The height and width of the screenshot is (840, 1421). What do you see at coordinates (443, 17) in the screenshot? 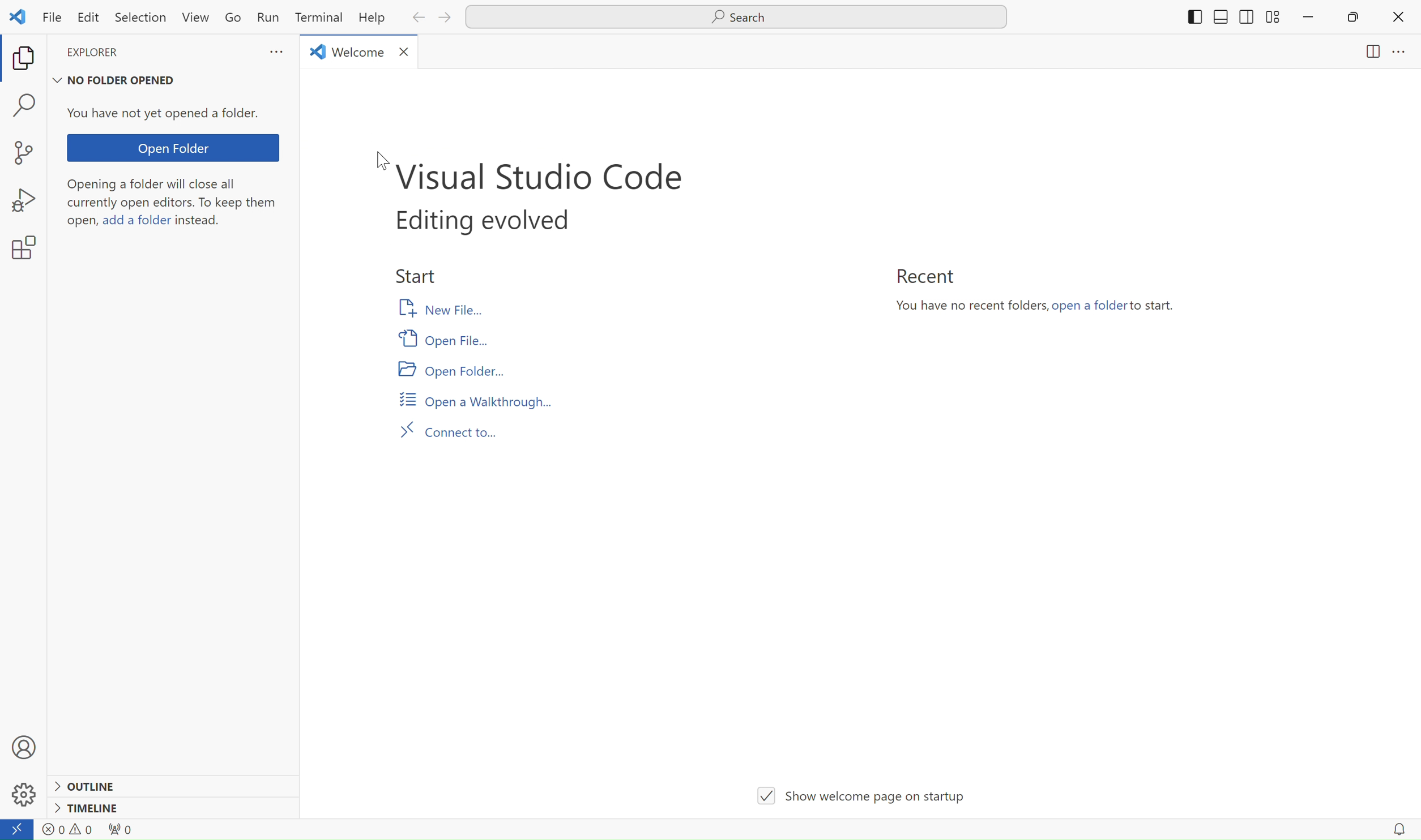
I see `next` at bounding box center [443, 17].